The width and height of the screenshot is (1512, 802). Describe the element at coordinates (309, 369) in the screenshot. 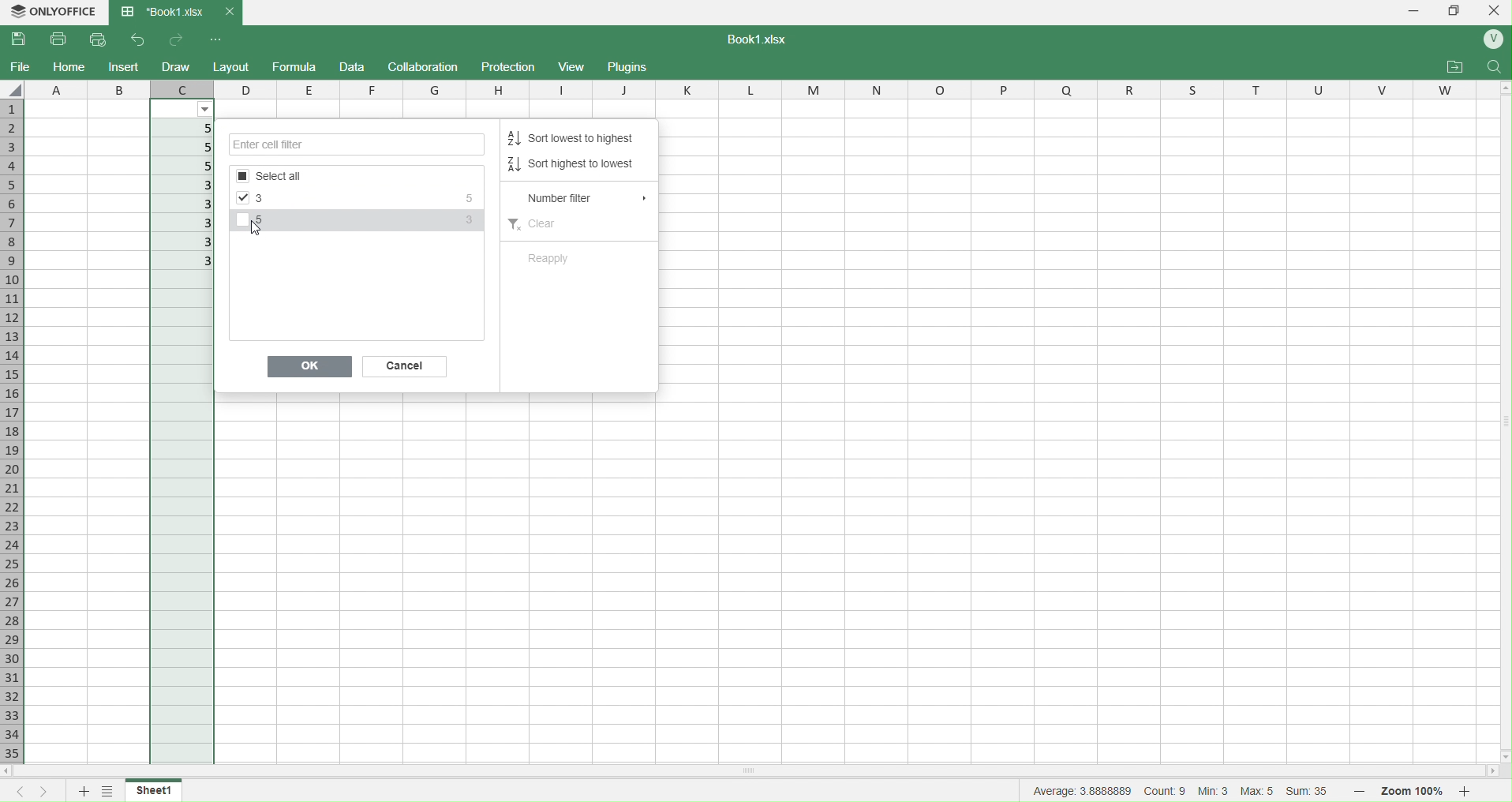

I see `Ok` at that location.